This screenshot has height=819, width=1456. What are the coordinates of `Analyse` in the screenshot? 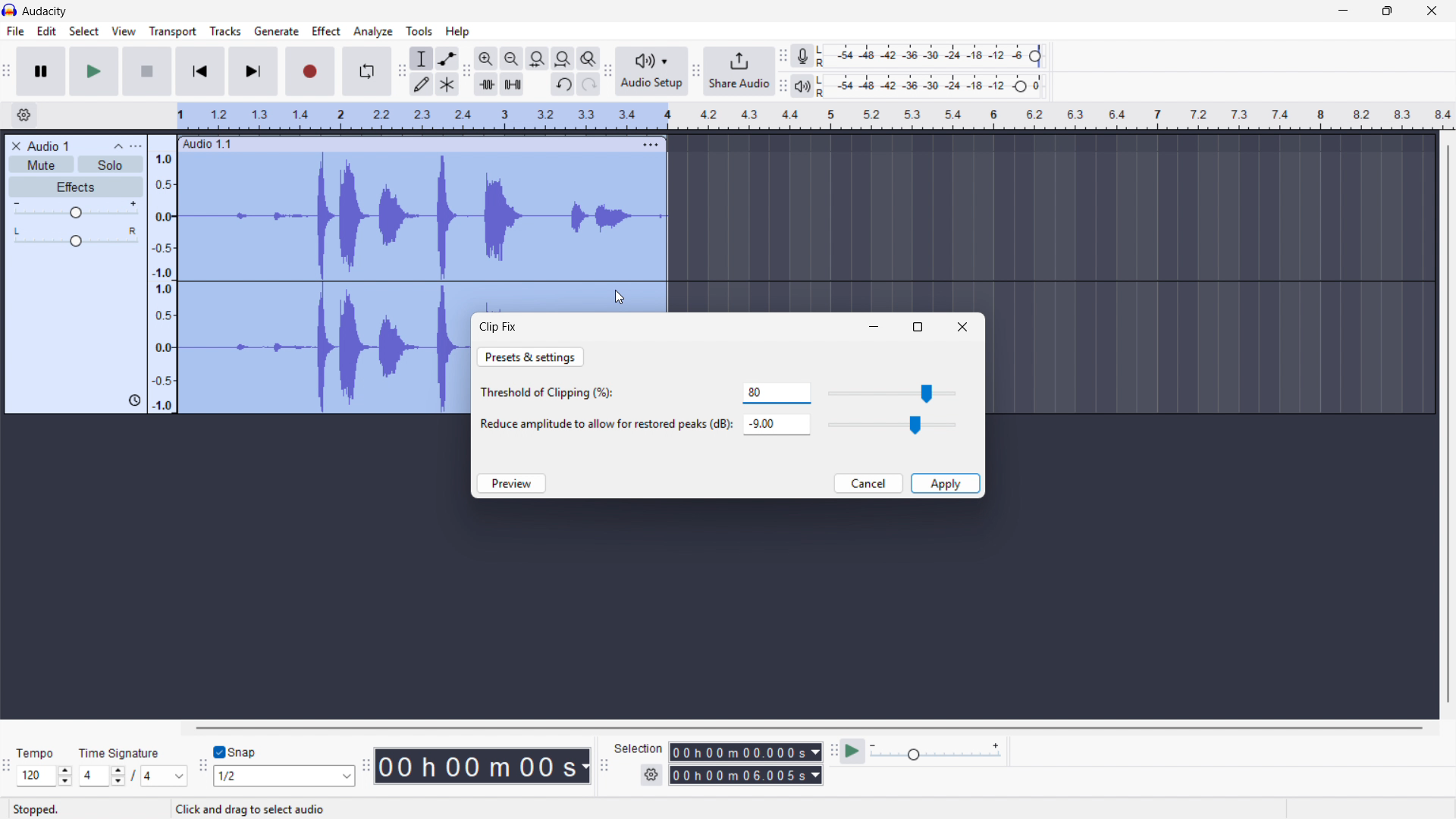 It's located at (372, 31).